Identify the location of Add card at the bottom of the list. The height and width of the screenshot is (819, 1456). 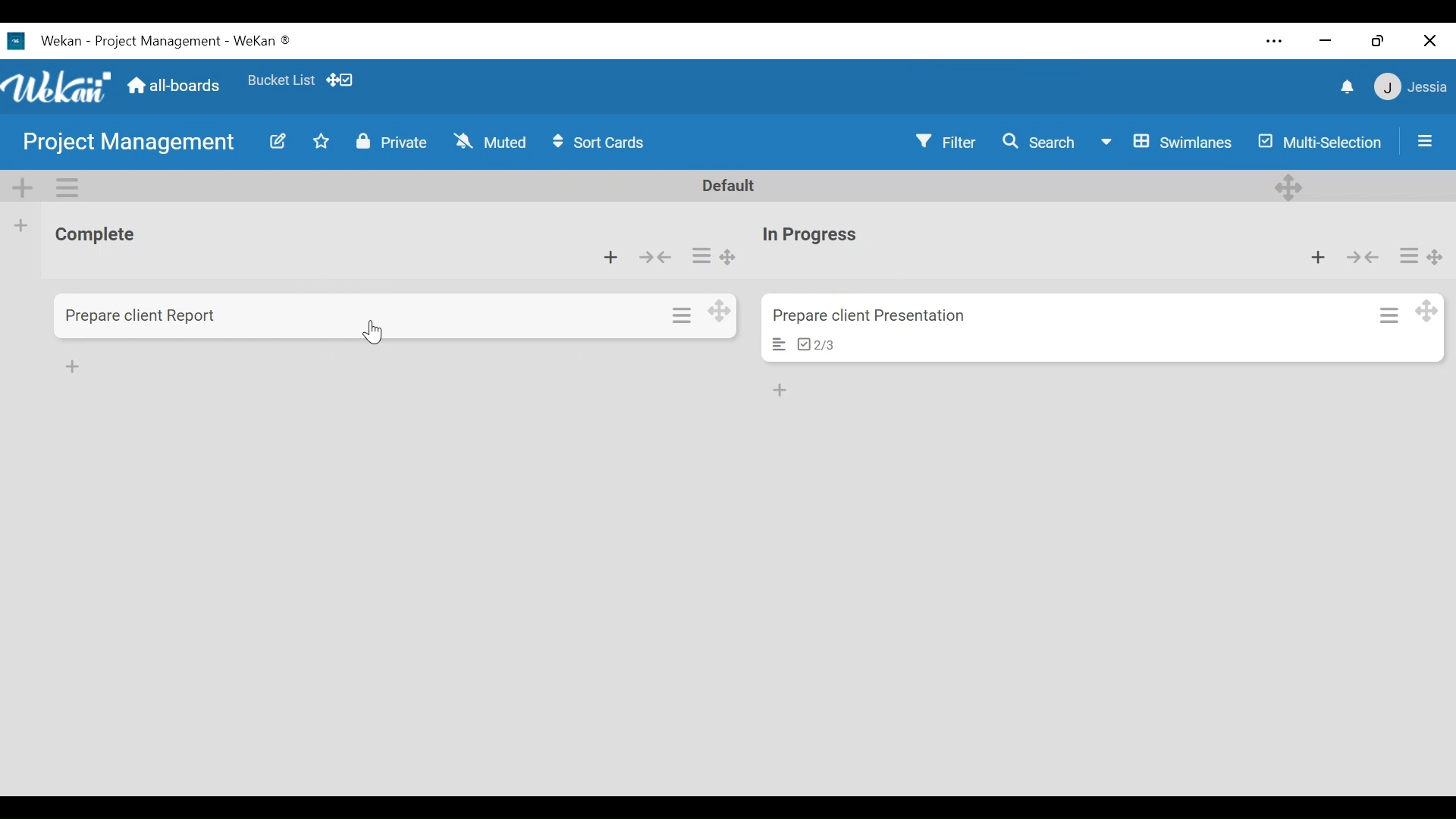
(780, 391).